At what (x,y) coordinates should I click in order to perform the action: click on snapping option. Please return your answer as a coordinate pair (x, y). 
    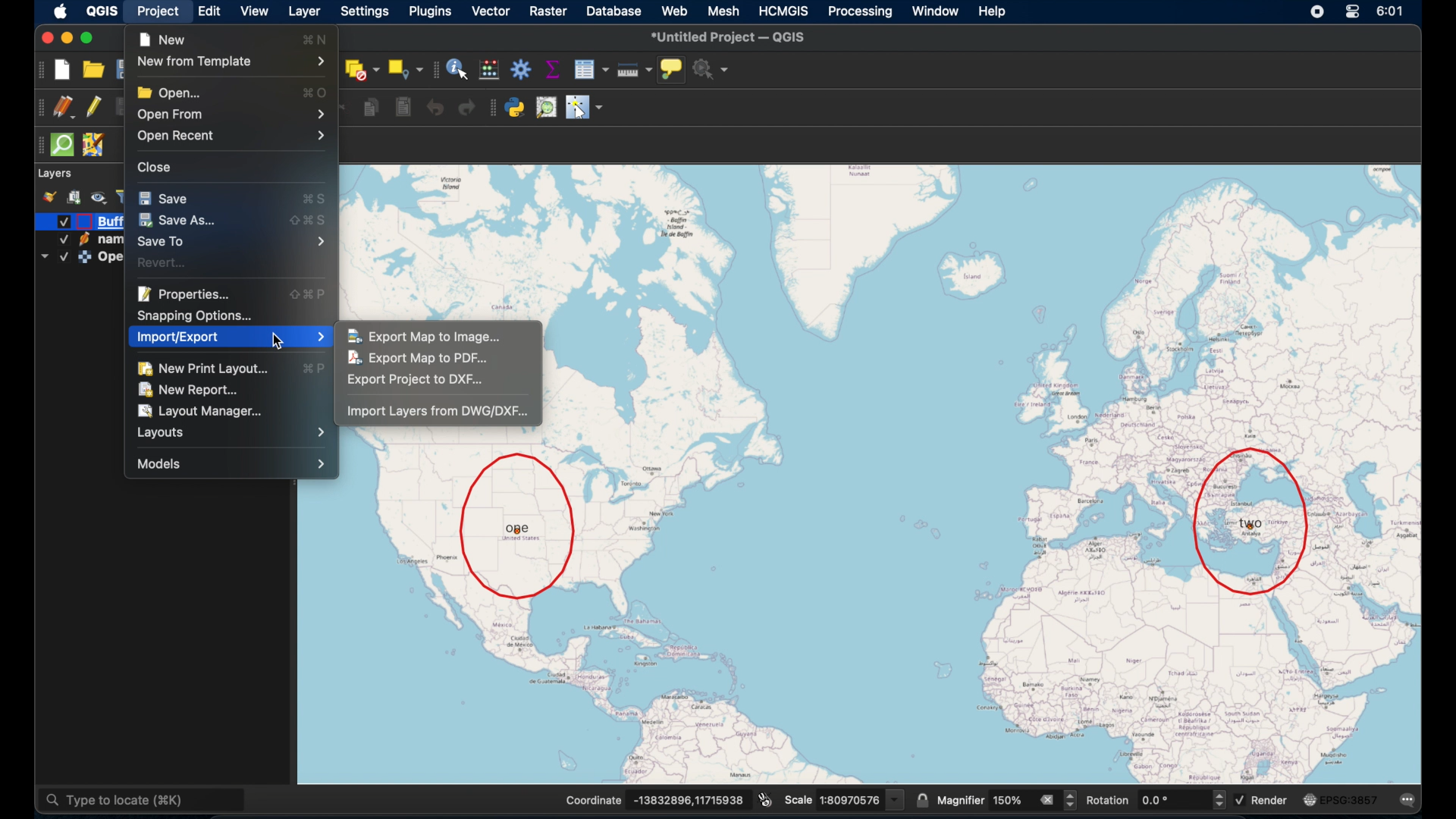
    Looking at the image, I should click on (198, 315).